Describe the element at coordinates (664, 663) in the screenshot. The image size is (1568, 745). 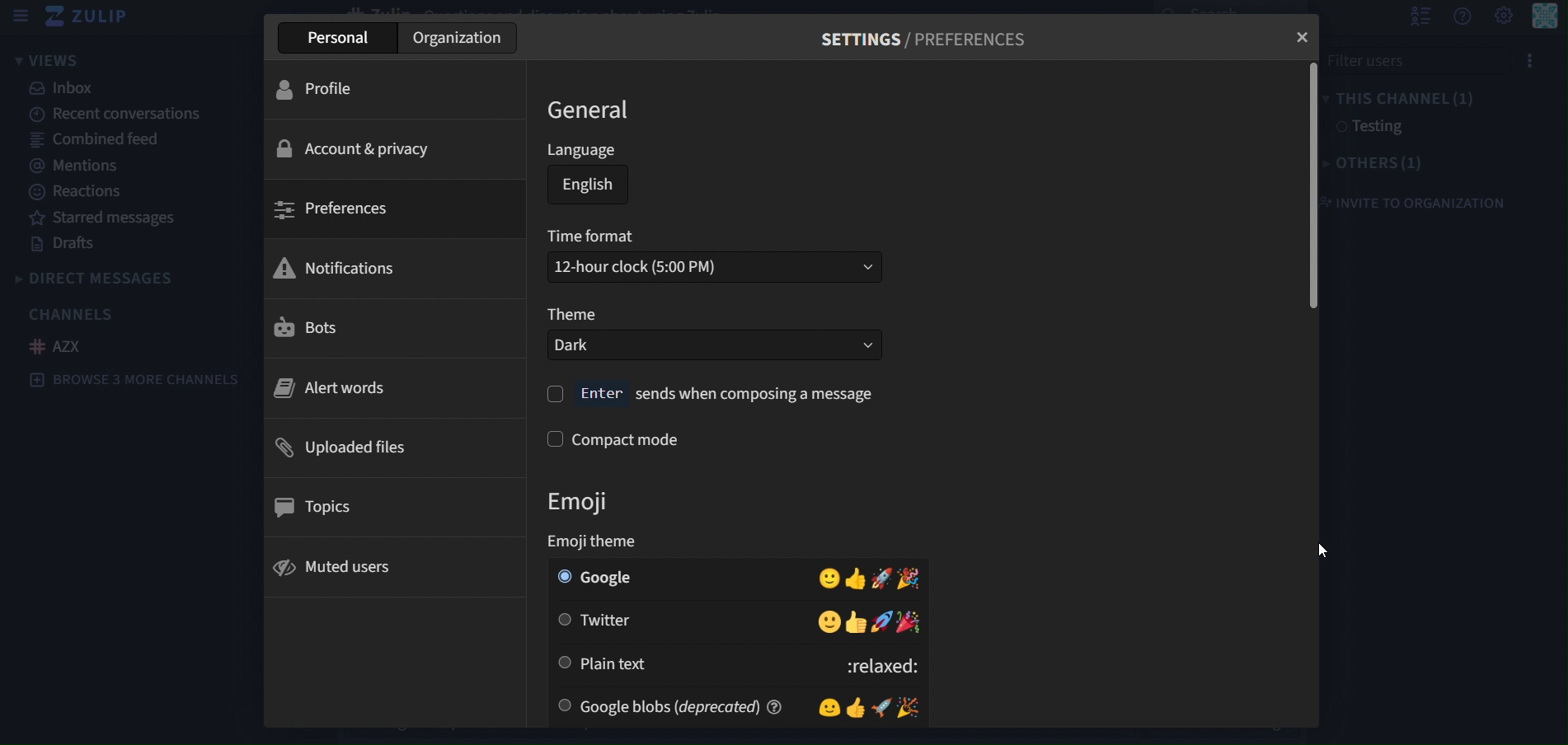
I see `plain text` at that location.